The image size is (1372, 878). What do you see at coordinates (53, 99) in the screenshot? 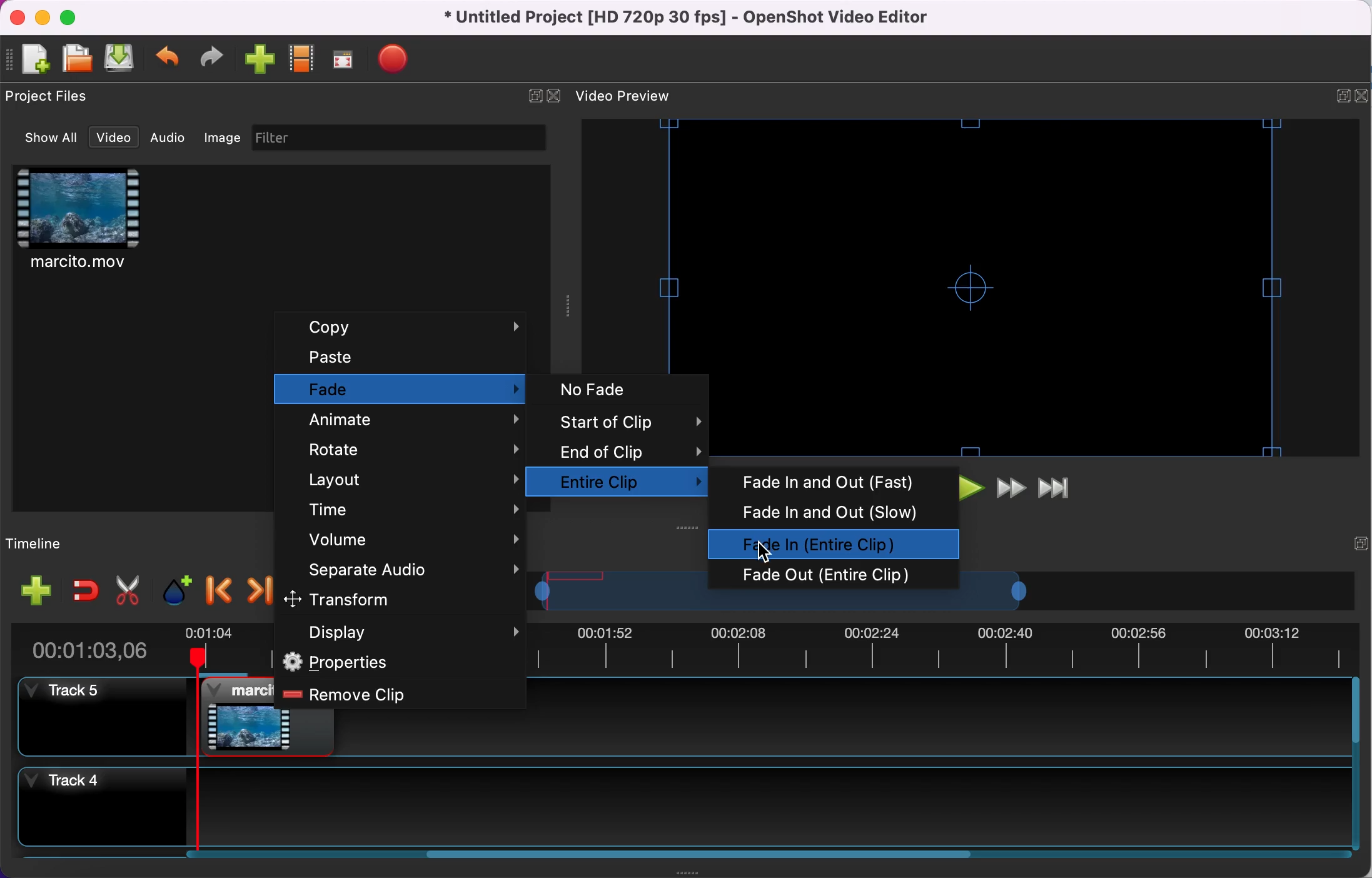
I see `project files` at bounding box center [53, 99].